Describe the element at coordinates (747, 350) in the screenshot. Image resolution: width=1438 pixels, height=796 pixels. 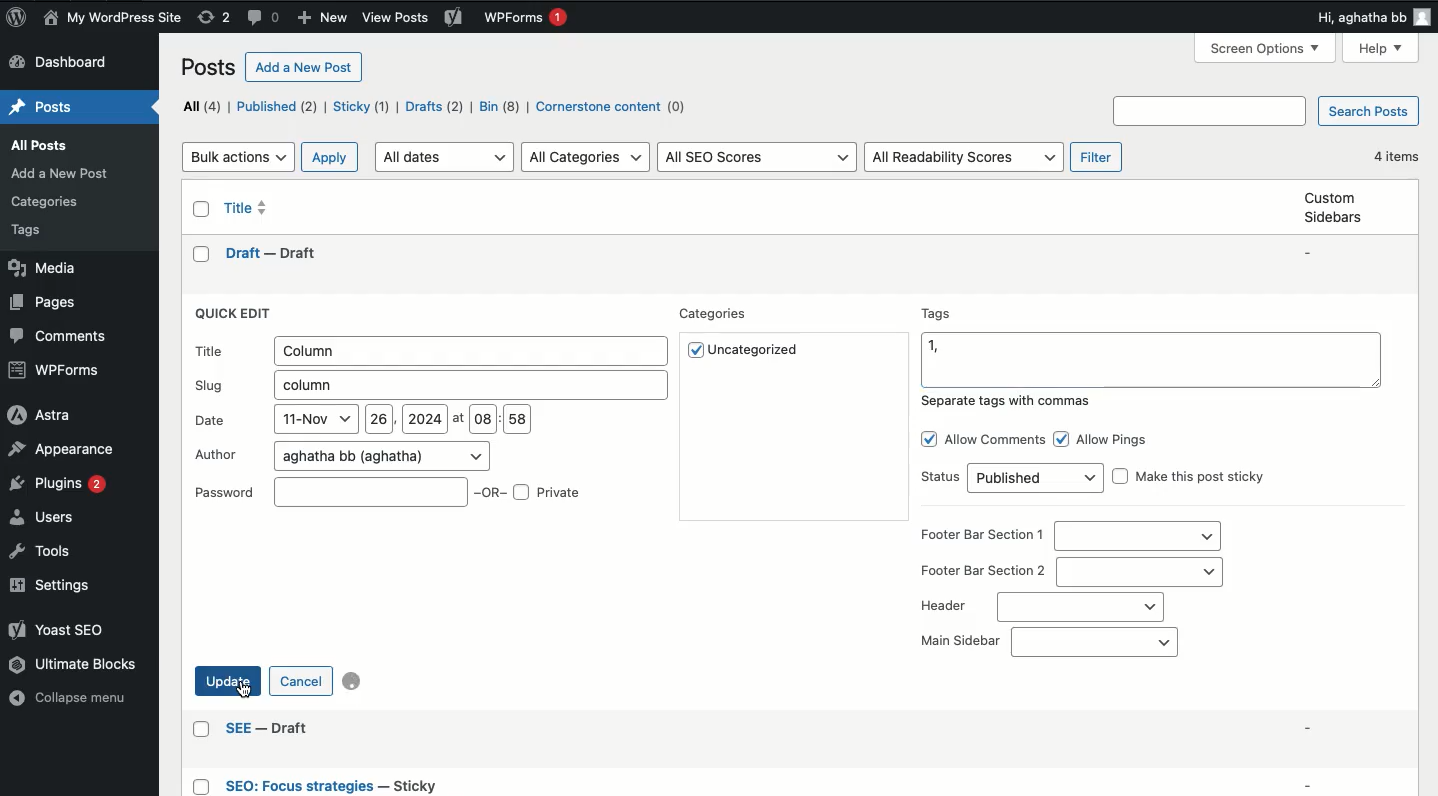
I see `Uncategorized` at that location.